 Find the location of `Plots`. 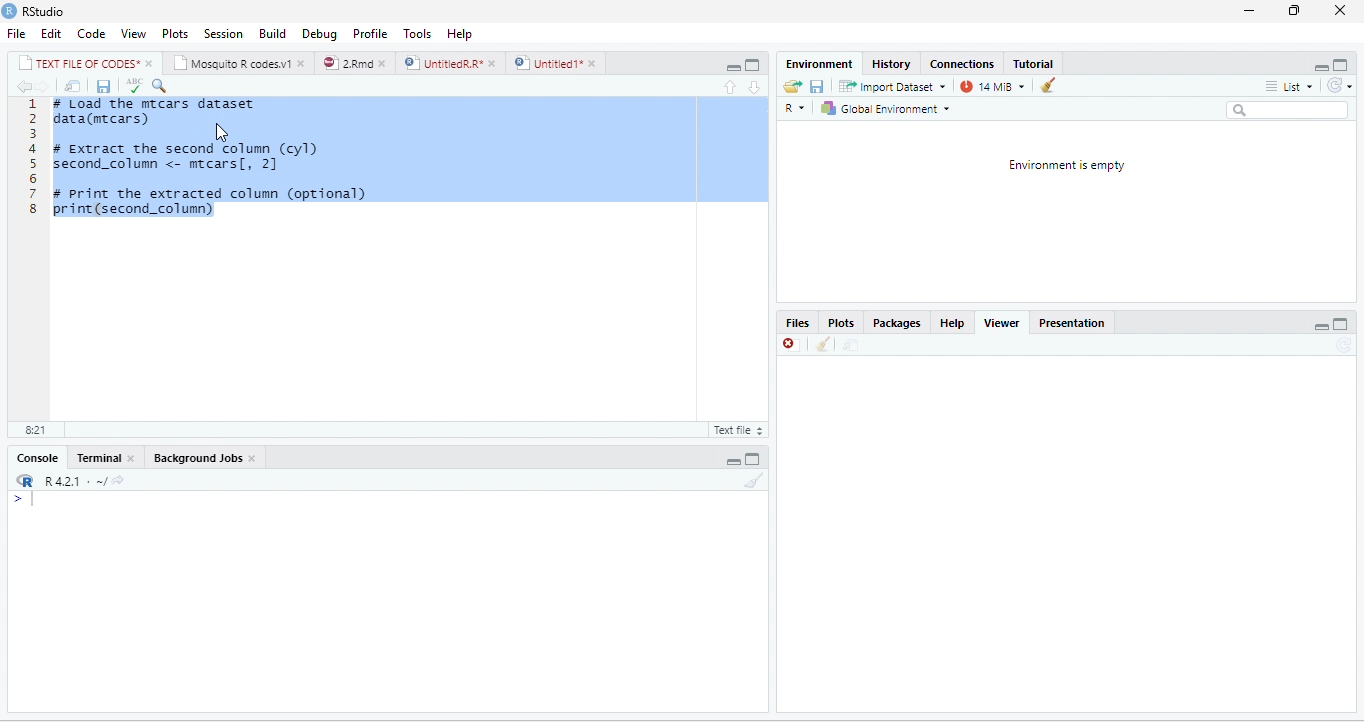

Plots is located at coordinates (175, 32).